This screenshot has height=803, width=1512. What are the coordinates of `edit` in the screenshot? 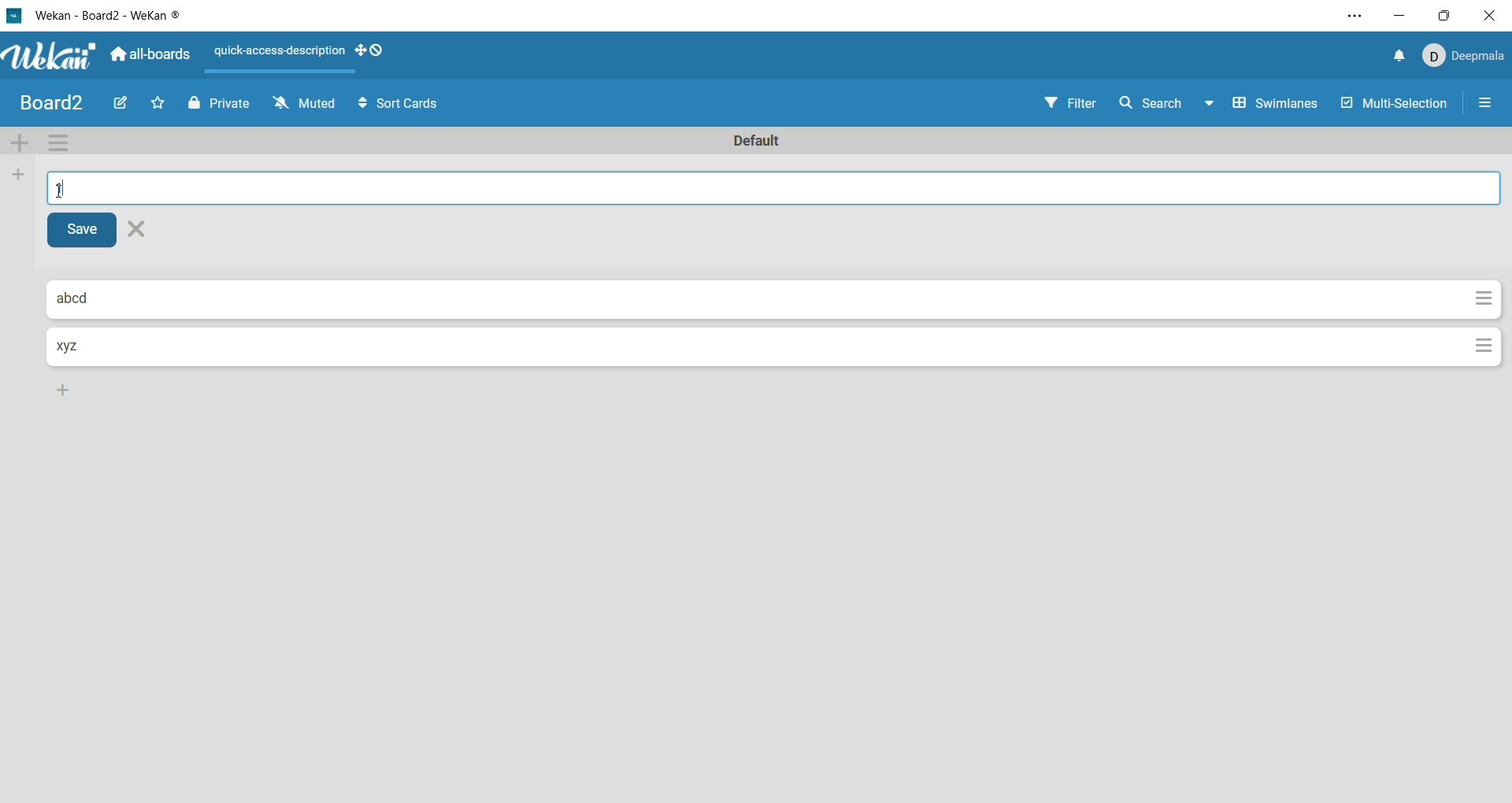 It's located at (121, 105).